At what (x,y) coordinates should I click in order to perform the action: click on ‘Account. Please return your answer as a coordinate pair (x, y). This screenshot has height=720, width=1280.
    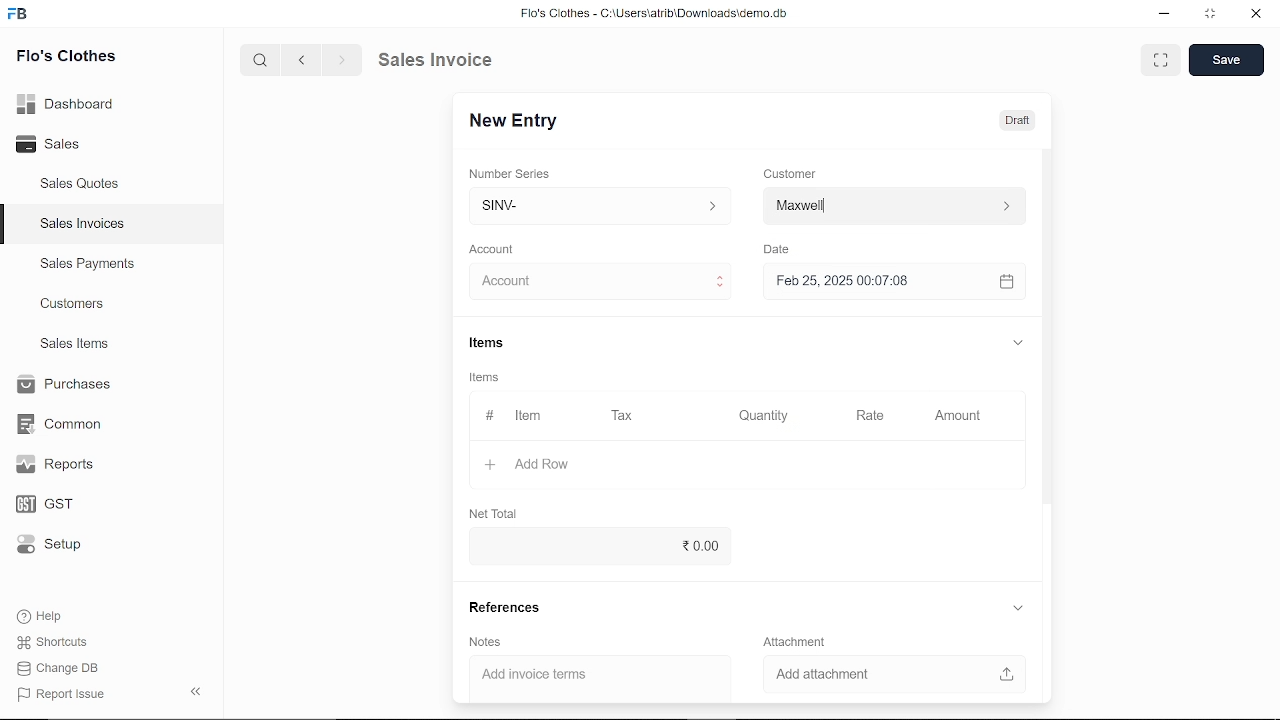
    Looking at the image, I should click on (491, 248).